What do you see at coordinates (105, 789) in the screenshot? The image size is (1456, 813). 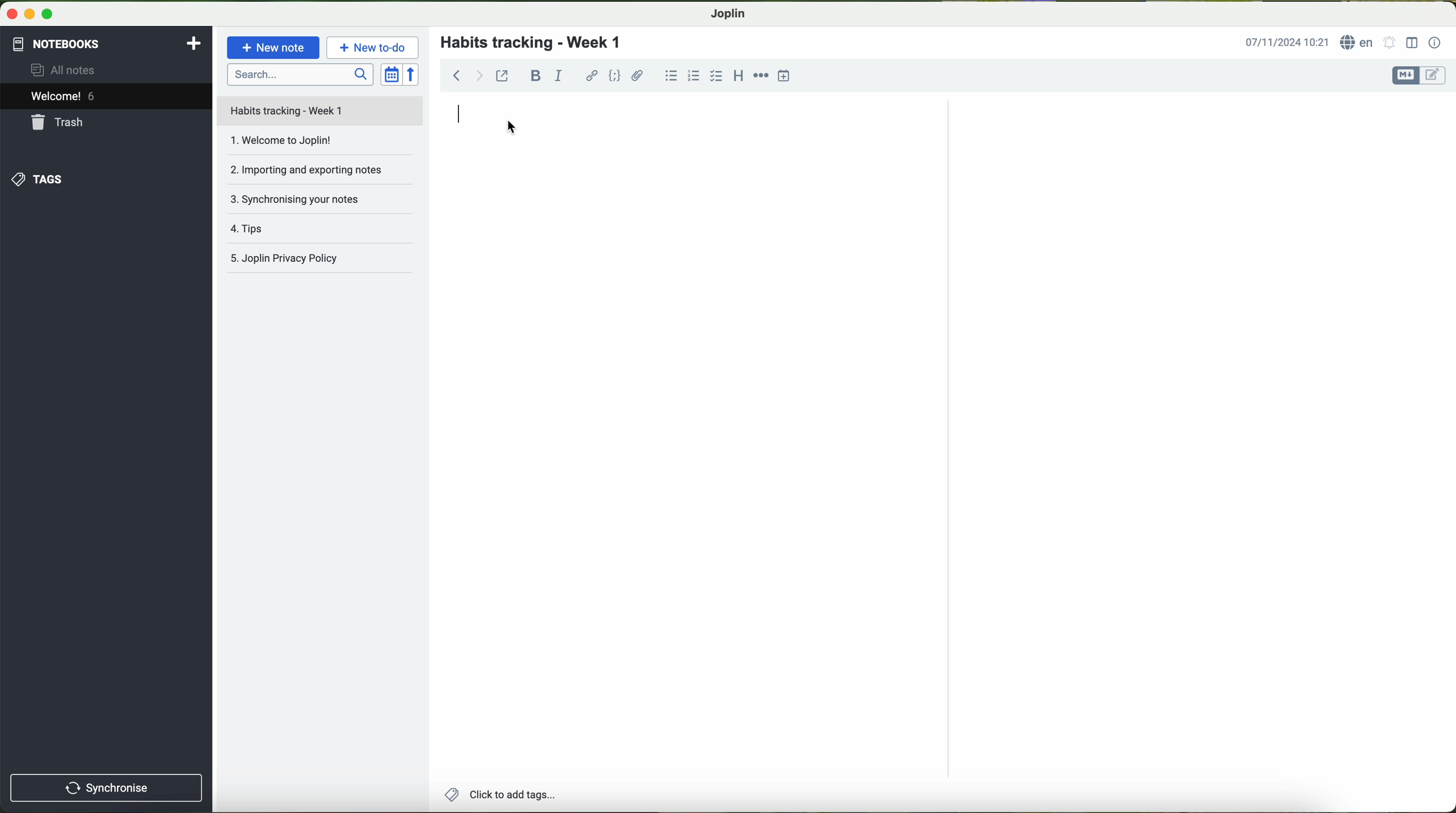 I see `synchronnise button` at bounding box center [105, 789].